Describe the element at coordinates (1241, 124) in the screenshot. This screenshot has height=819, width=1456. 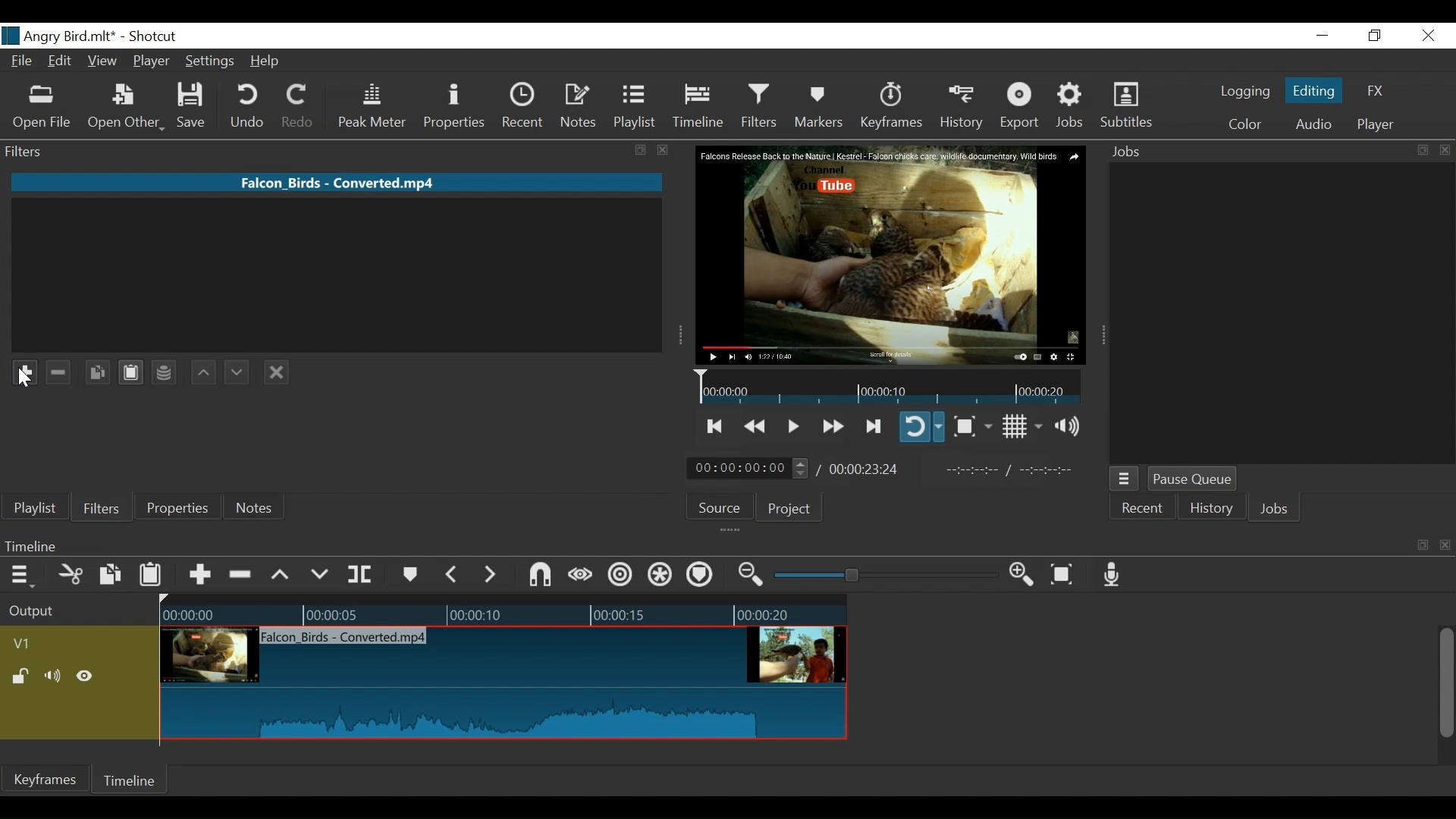
I see `Color` at that location.